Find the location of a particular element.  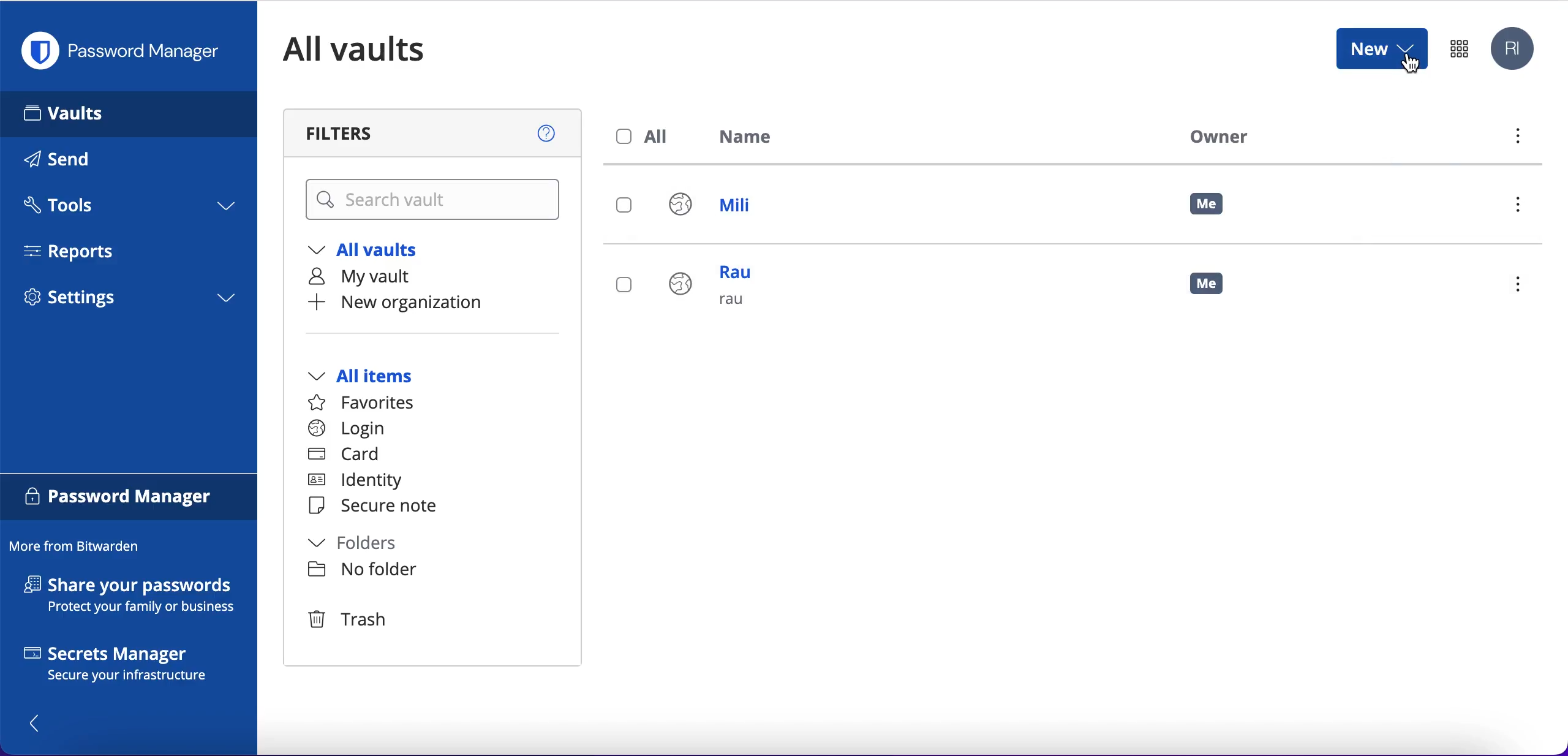

show/hide panel is located at coordinates (36, 723).